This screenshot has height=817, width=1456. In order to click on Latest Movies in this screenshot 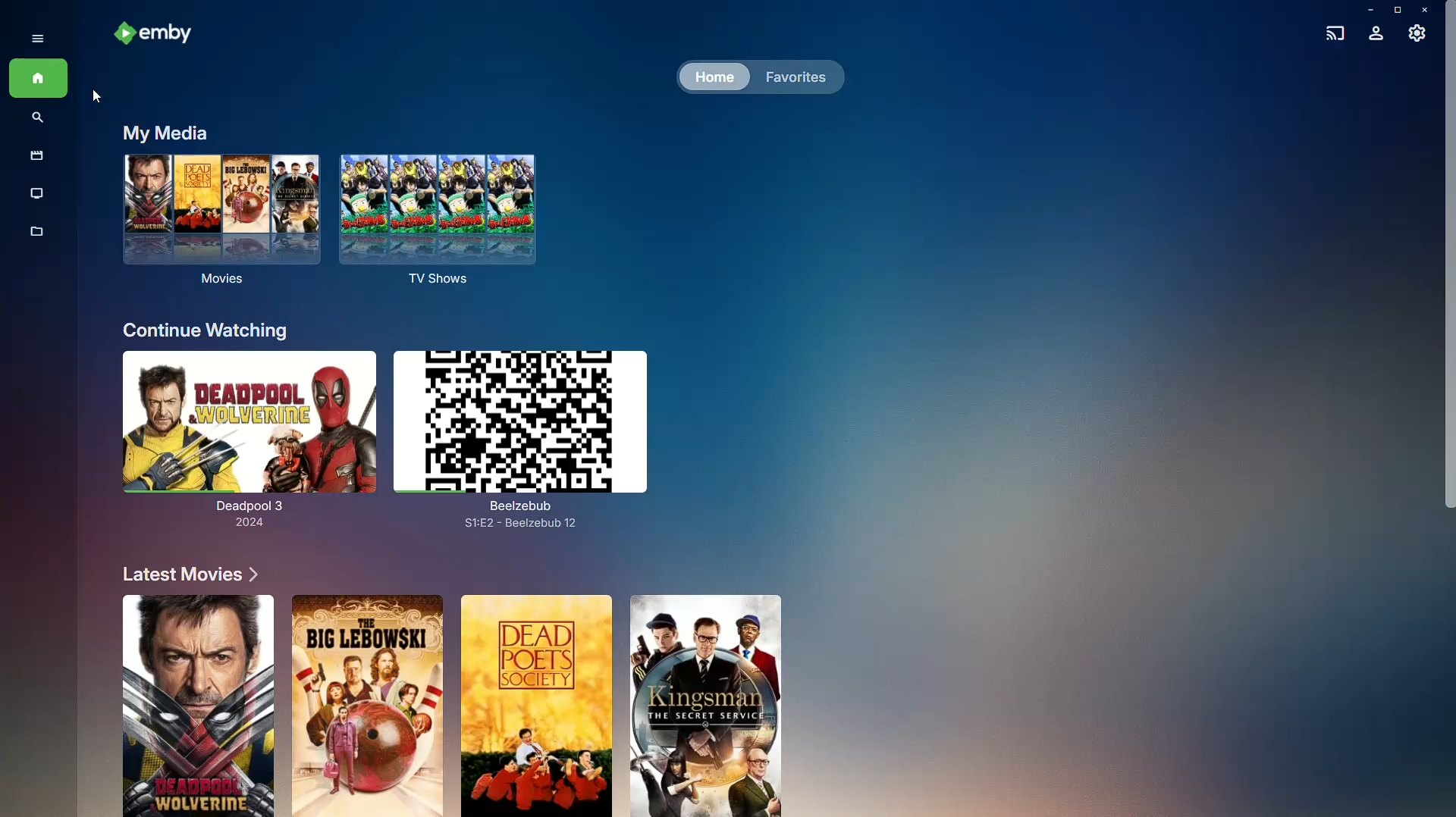, I will do `click(184, 574)`.